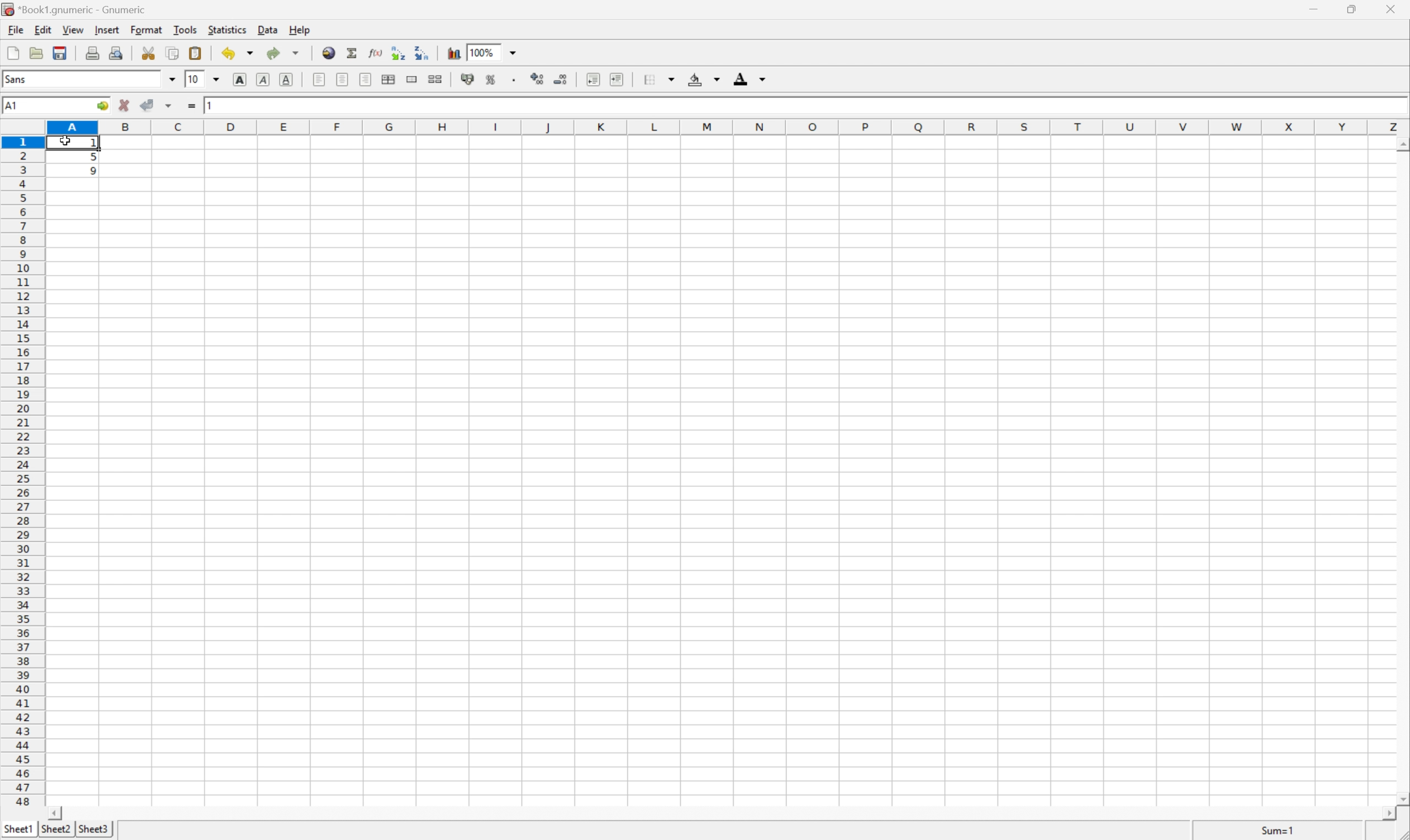  Describe the element at coordinates (125, 105) in the screenshot. I see `cancel changes` at that location.